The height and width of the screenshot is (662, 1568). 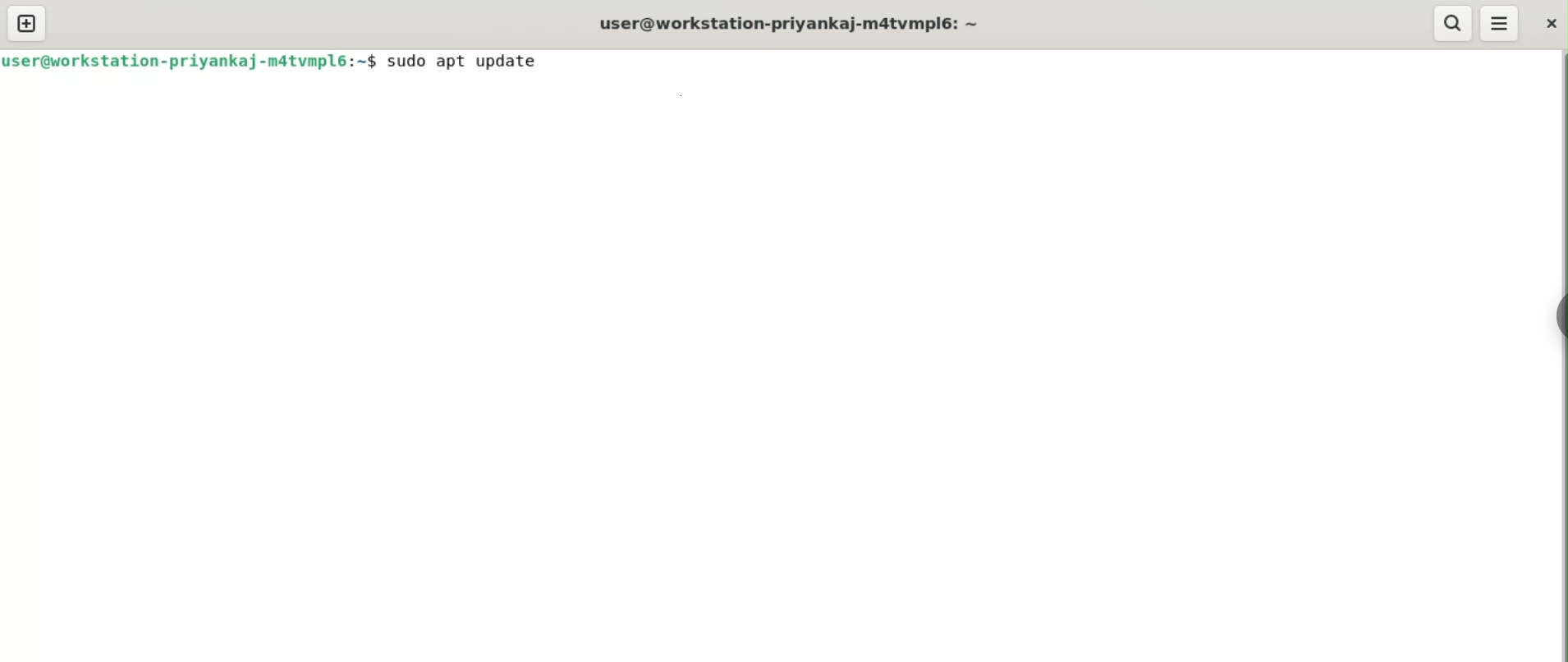 What do you see at coordinates (1450, 23) in the screenshot?
I see `search` at bounding box center [1450, 23].